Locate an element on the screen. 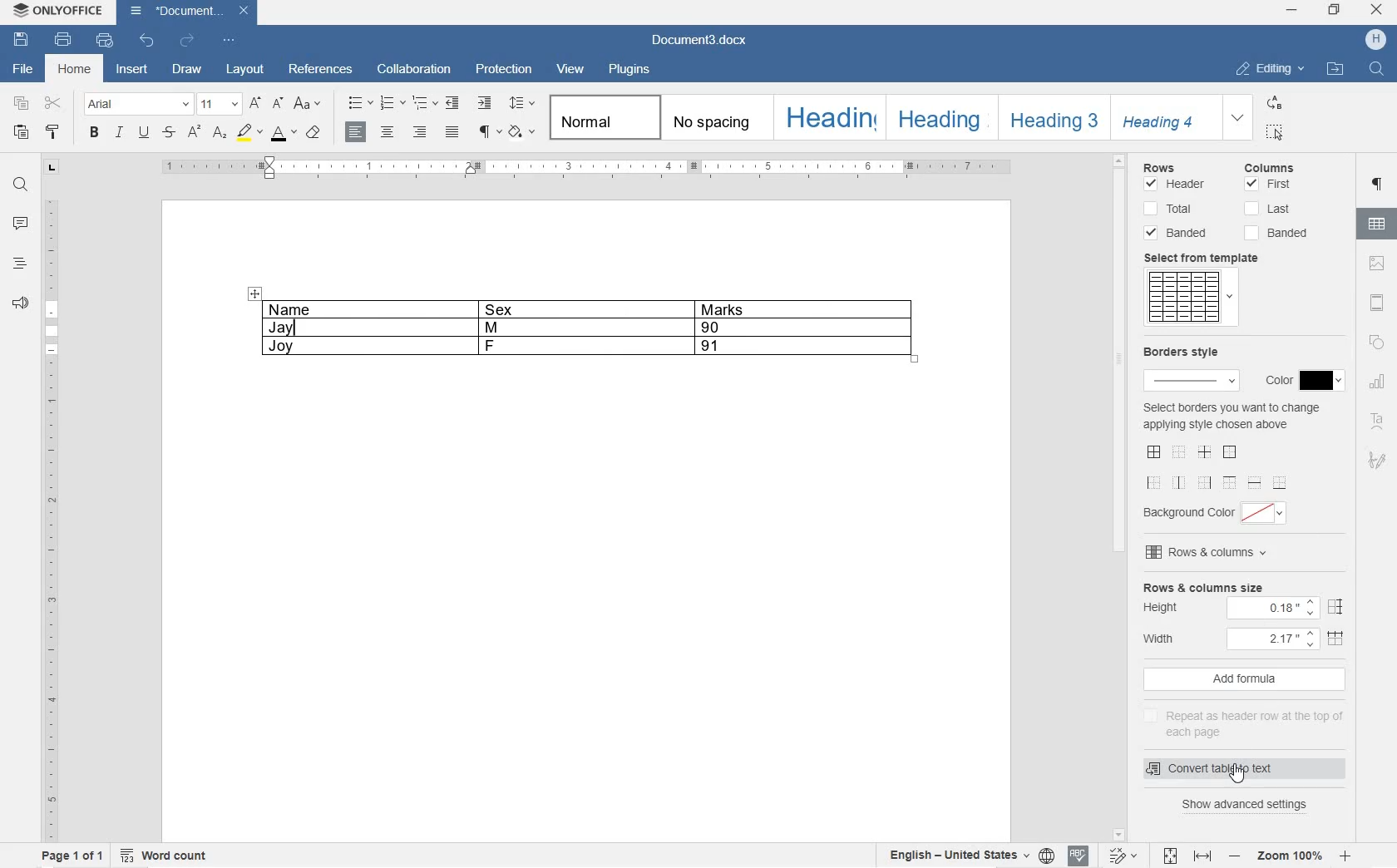 Image resolution: width=1397 pixels, height=868 pixels. CURSOR is located at coordinates (1238, 774).